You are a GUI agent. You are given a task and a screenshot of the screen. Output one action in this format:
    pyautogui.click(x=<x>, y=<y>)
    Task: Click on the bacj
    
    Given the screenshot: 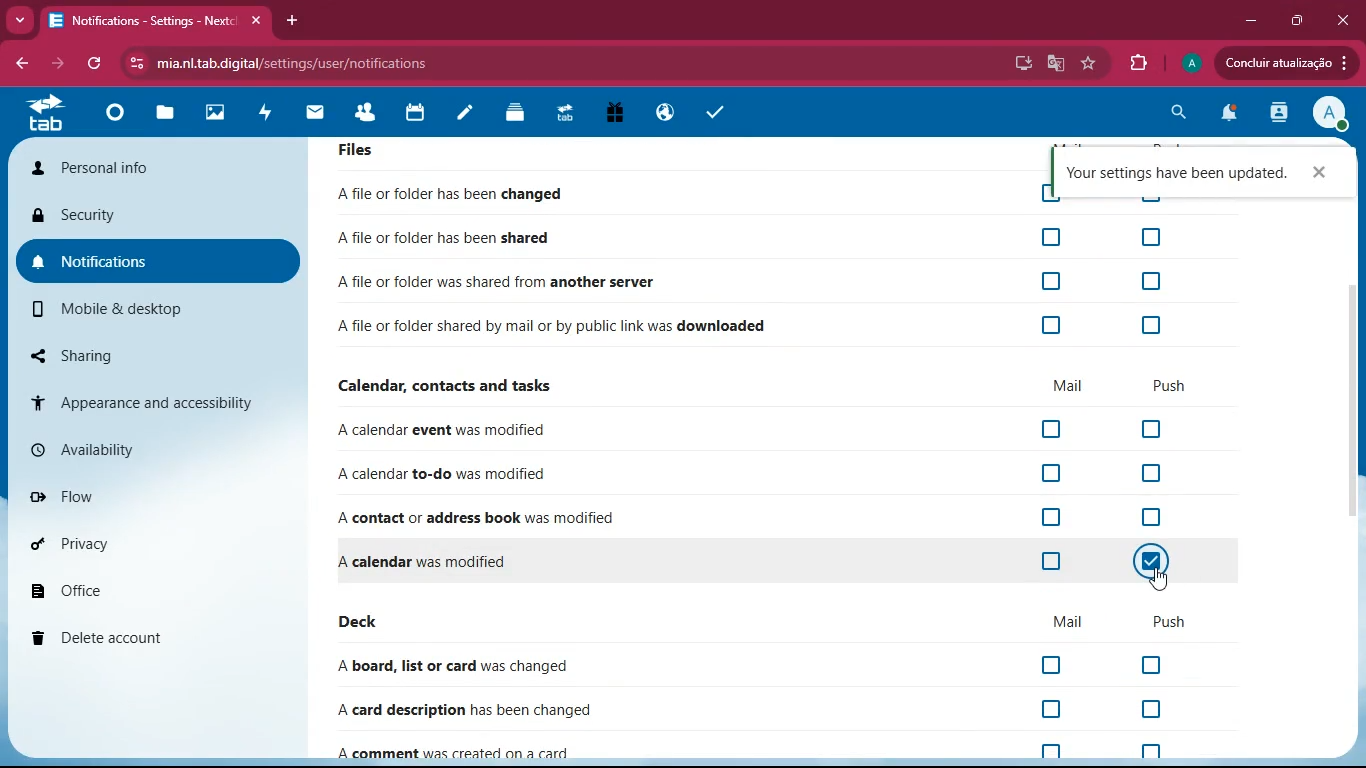 What is the action you would take?
    pyautogui.click(x=20, y=66)
    